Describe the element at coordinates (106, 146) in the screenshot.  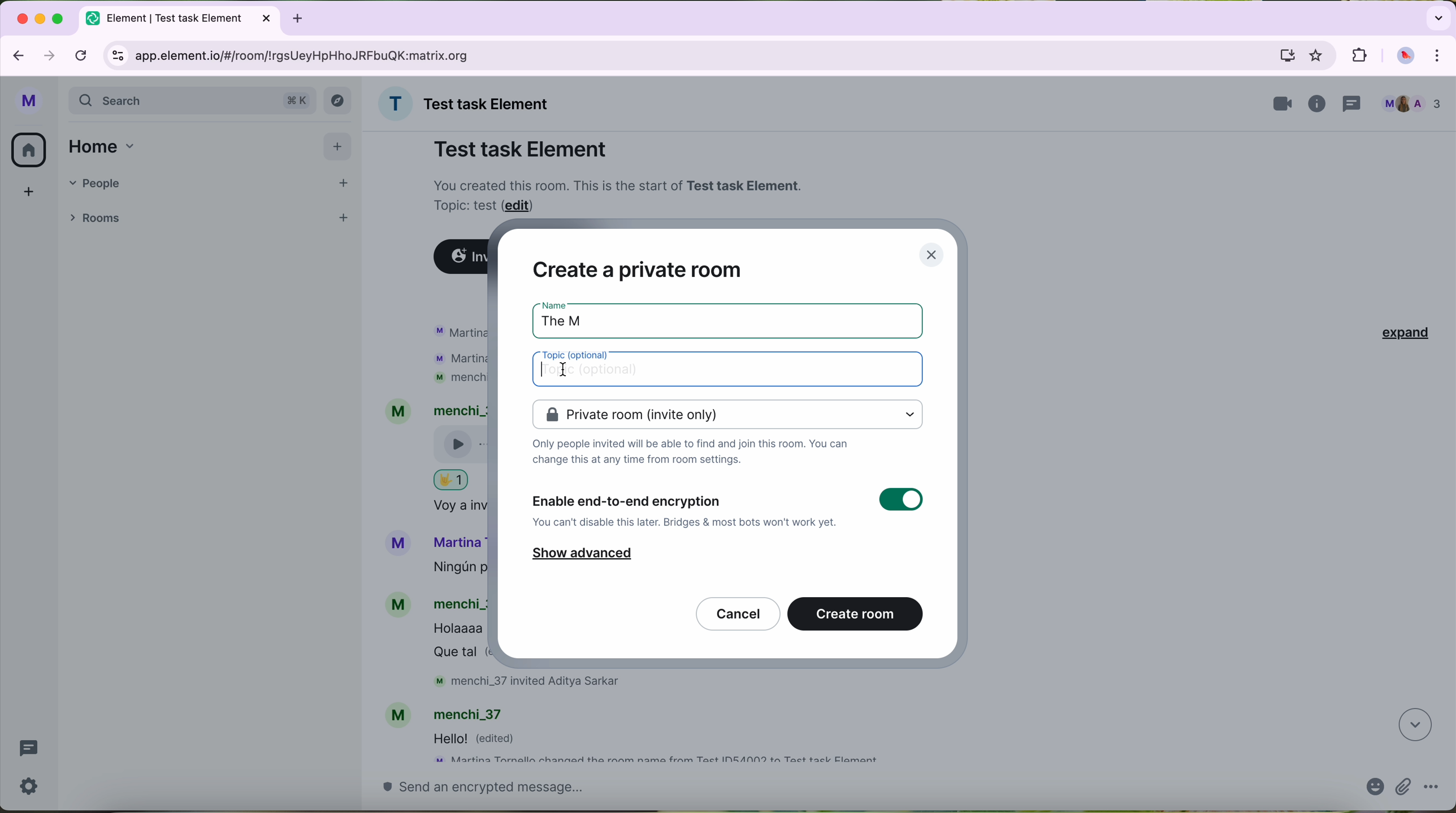
I see `home tab` at that location.